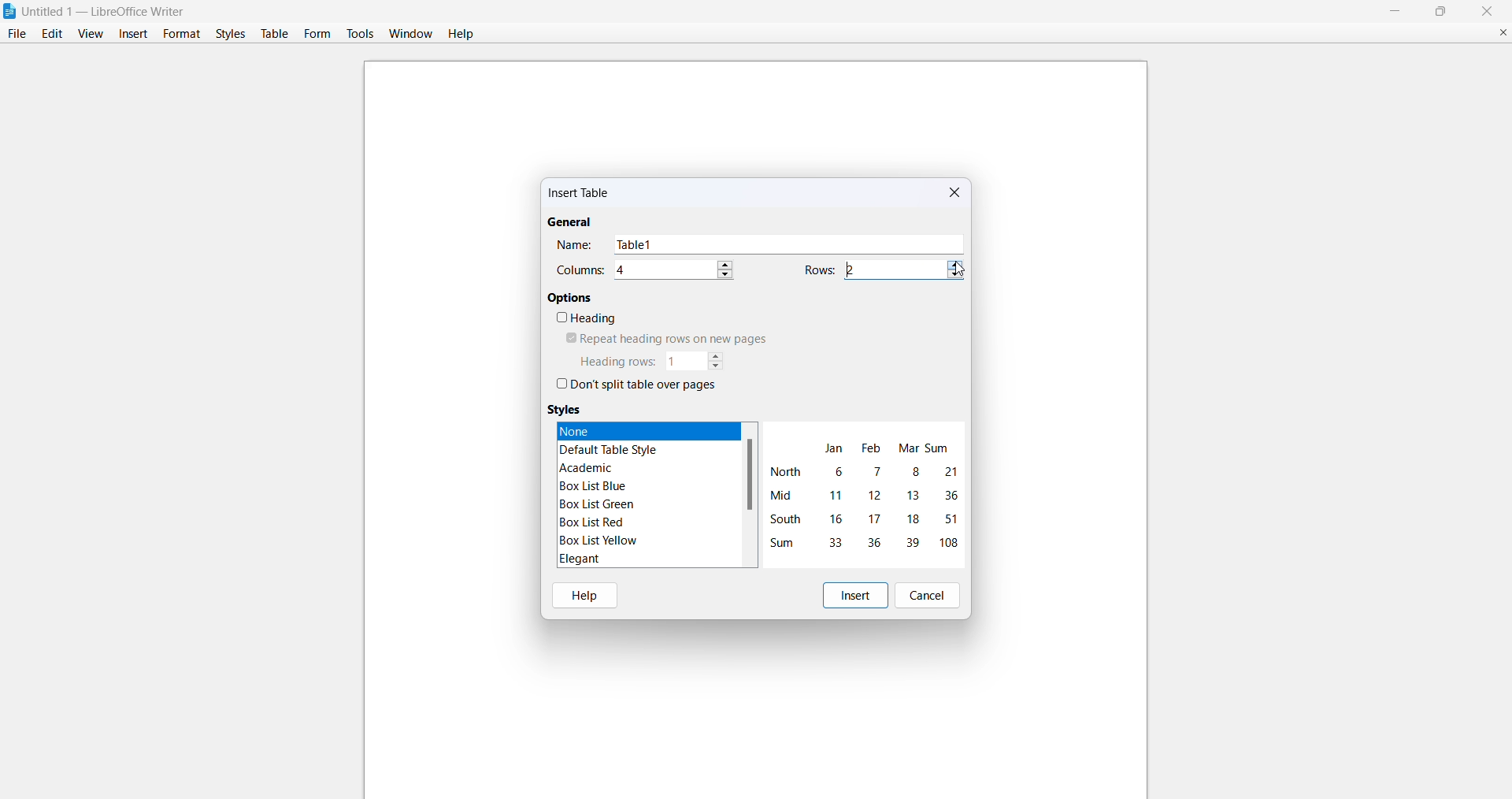 The image size is (1512, 799). What do you see at coordinates (592, 522) in the screenshot?
I see `box list red` at bounding box center [592, 522].